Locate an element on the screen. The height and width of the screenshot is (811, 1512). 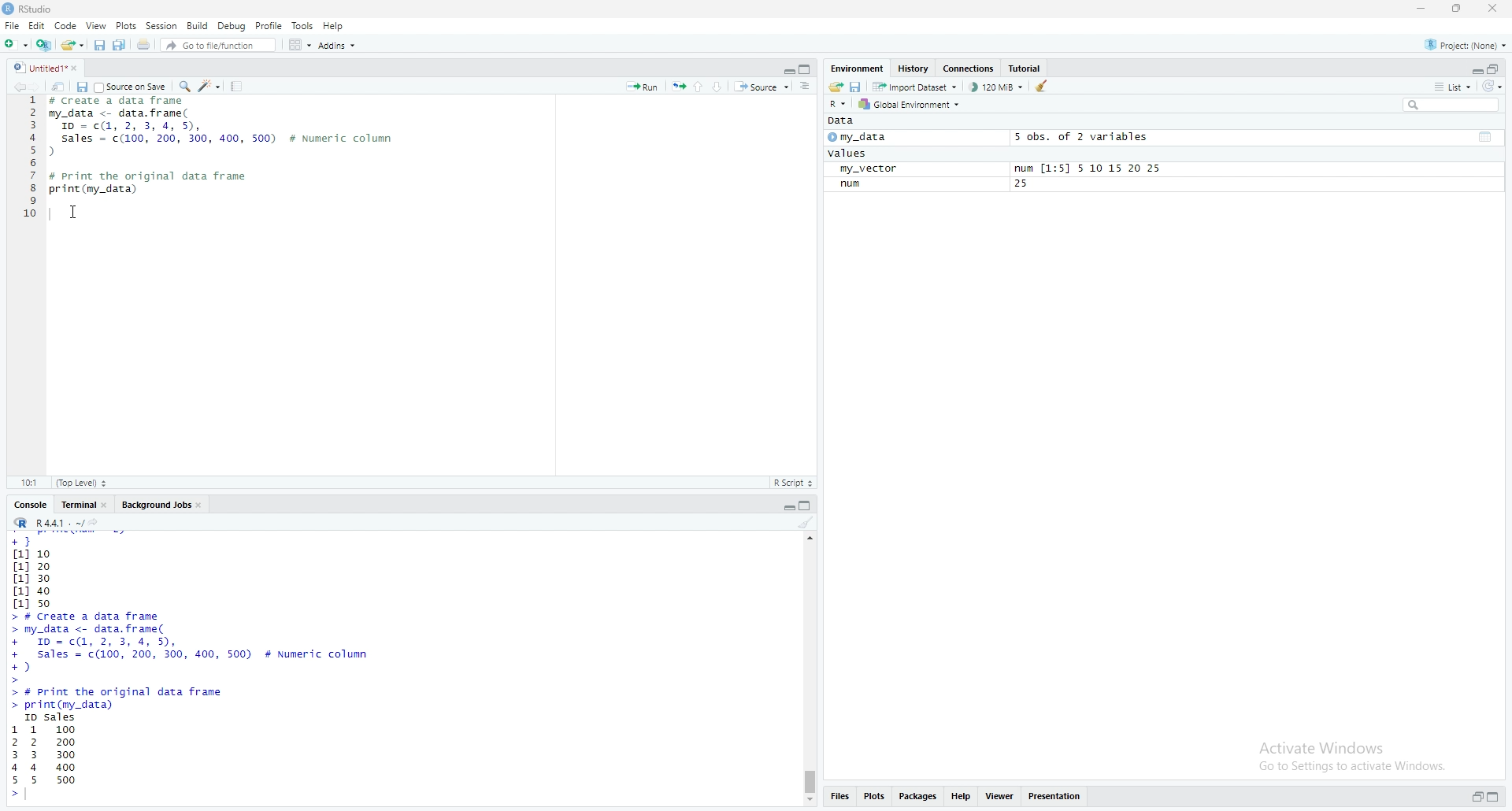
my_vector is located at coordinates (876, 169).